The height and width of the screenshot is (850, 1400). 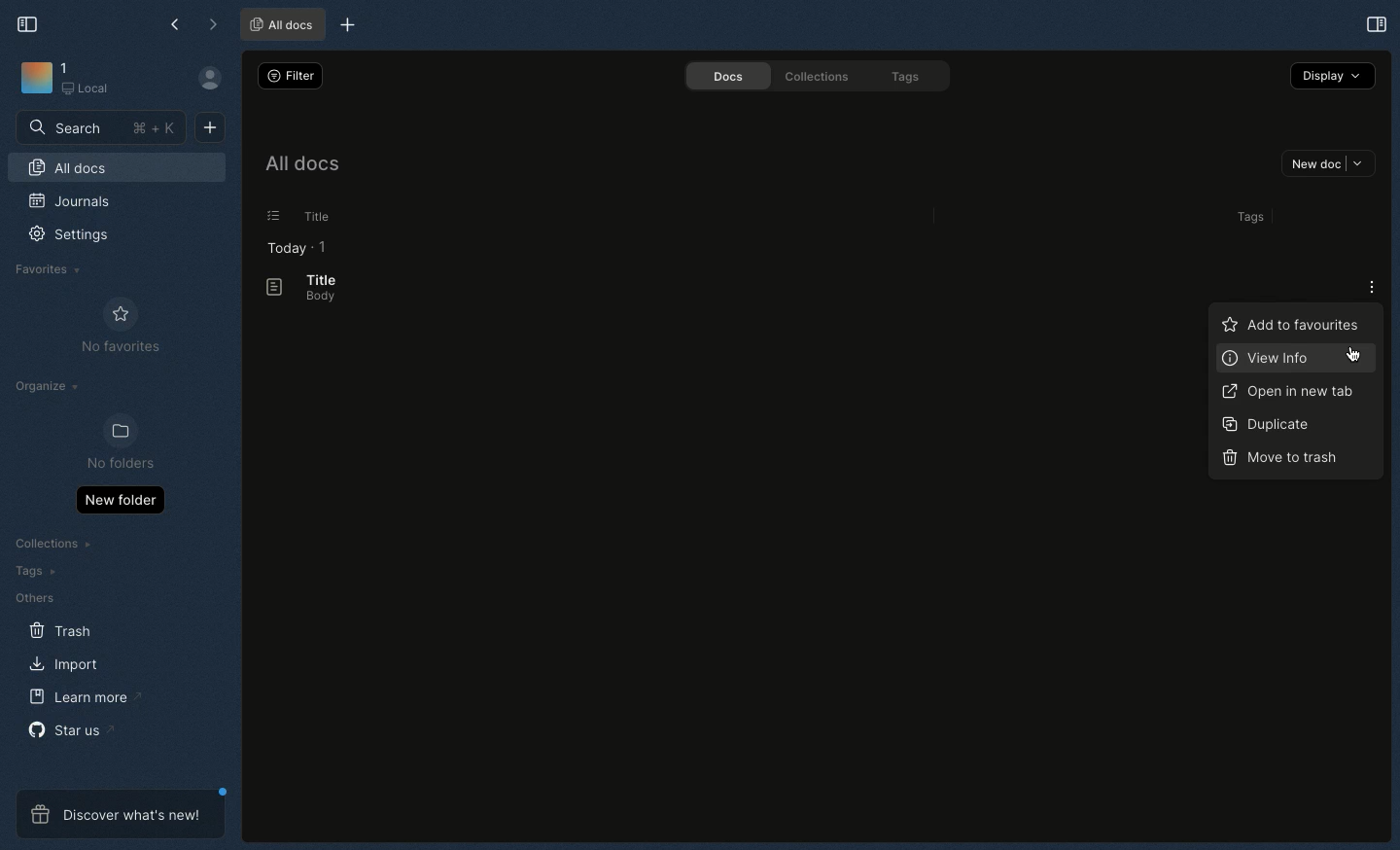 What do you see at coordinates (102, 126) in the screenshot?
I see `Search` at bounding box center [102, 126].